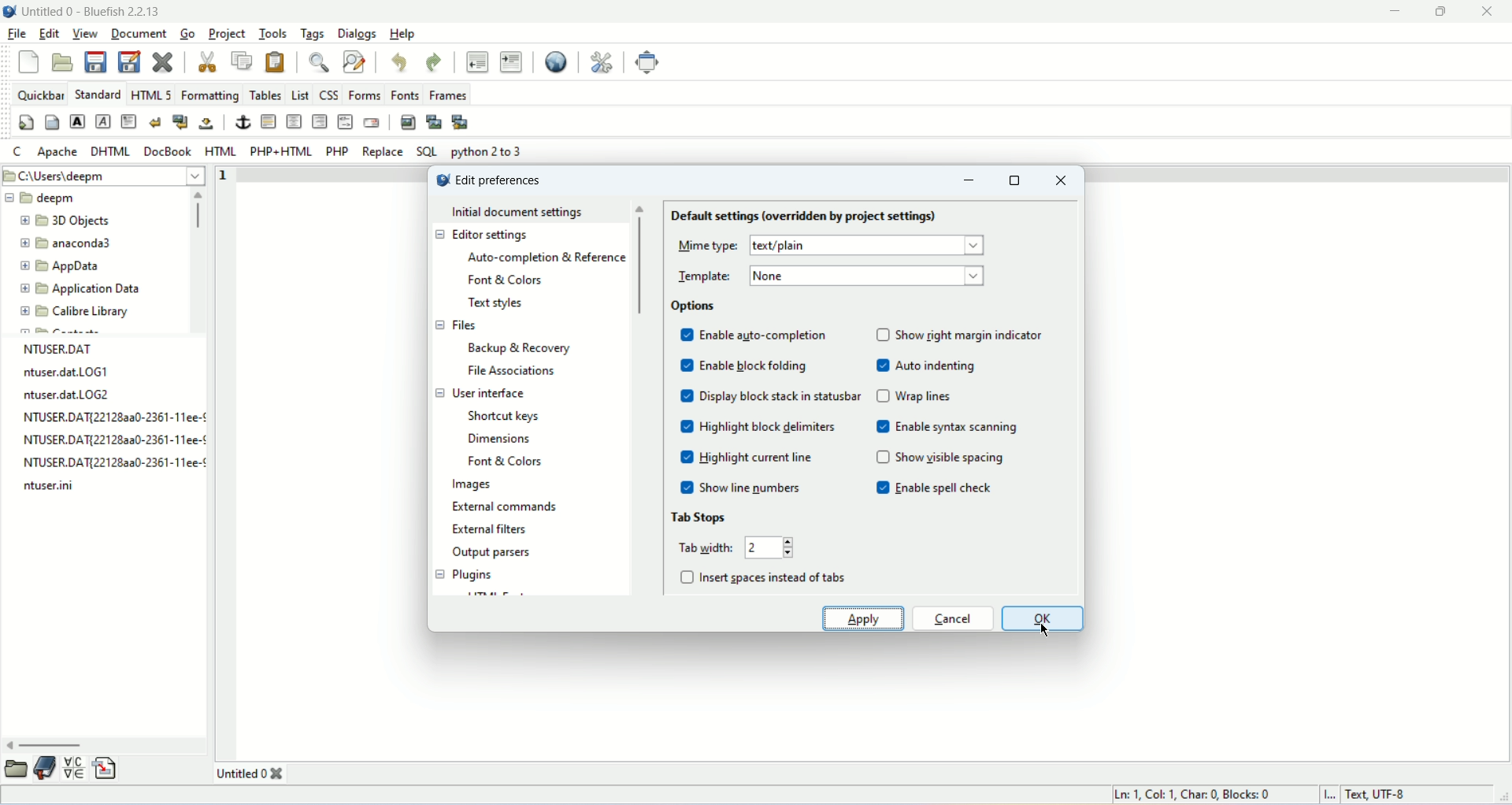  What do you see at coordinates (807, 215) in the screenshot?
I see `default settings (overridden for project settings)` at bounding box center [807, 215].